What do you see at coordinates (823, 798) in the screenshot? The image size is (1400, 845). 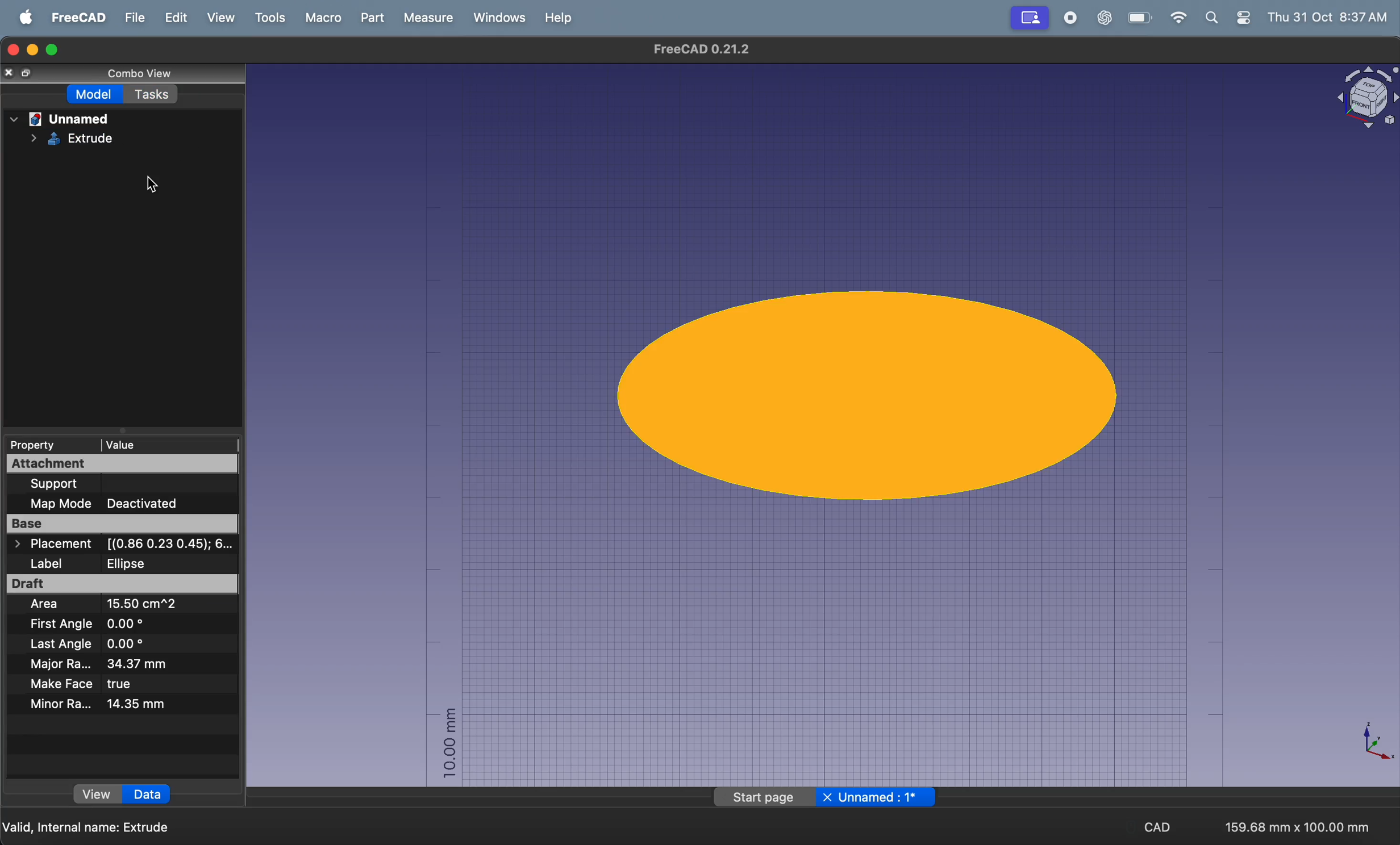 I see `page title` at bounding box center [823, 798].